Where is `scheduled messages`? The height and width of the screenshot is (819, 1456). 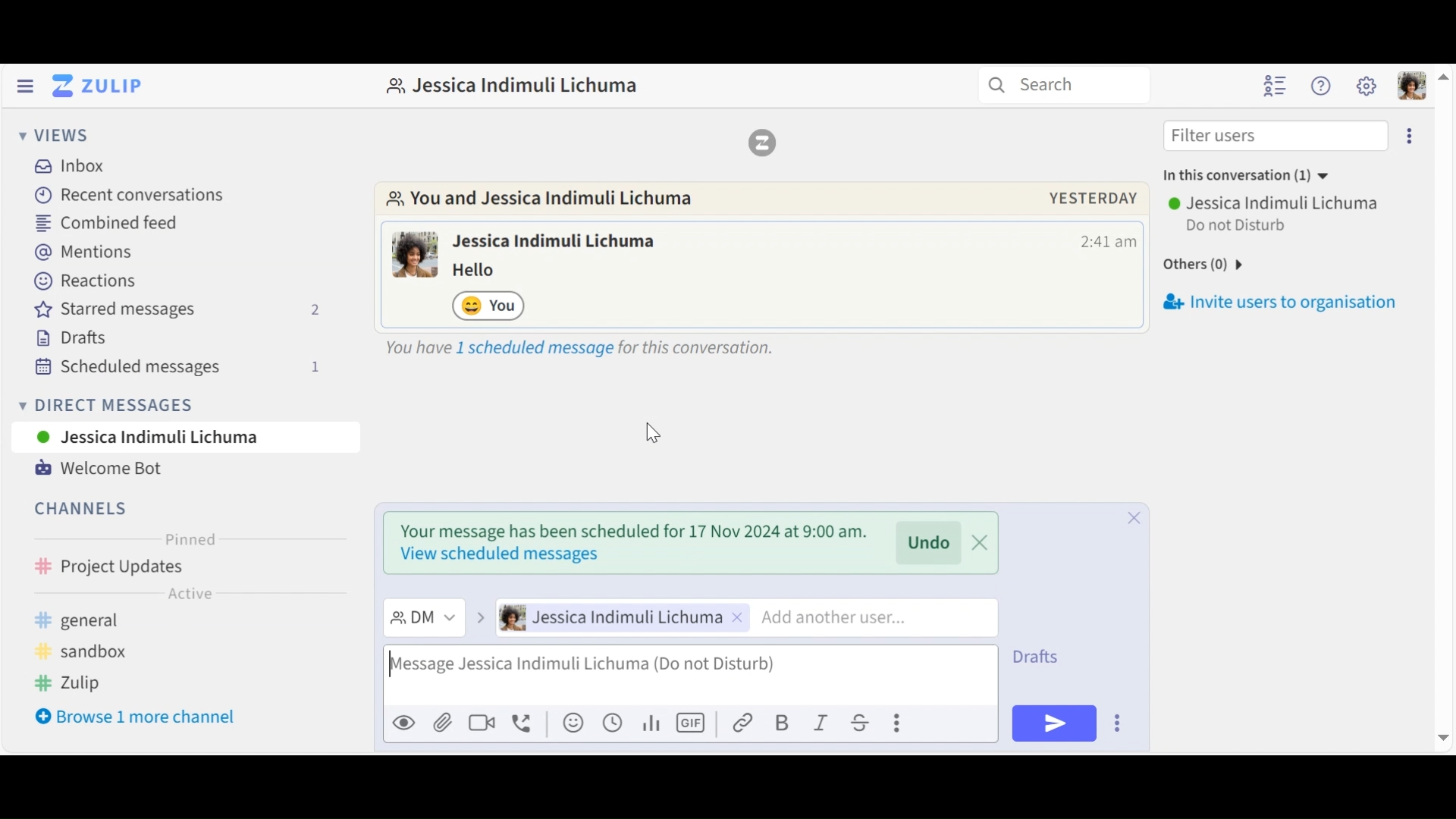 scheduled messages is located at coordinates (191, 366).